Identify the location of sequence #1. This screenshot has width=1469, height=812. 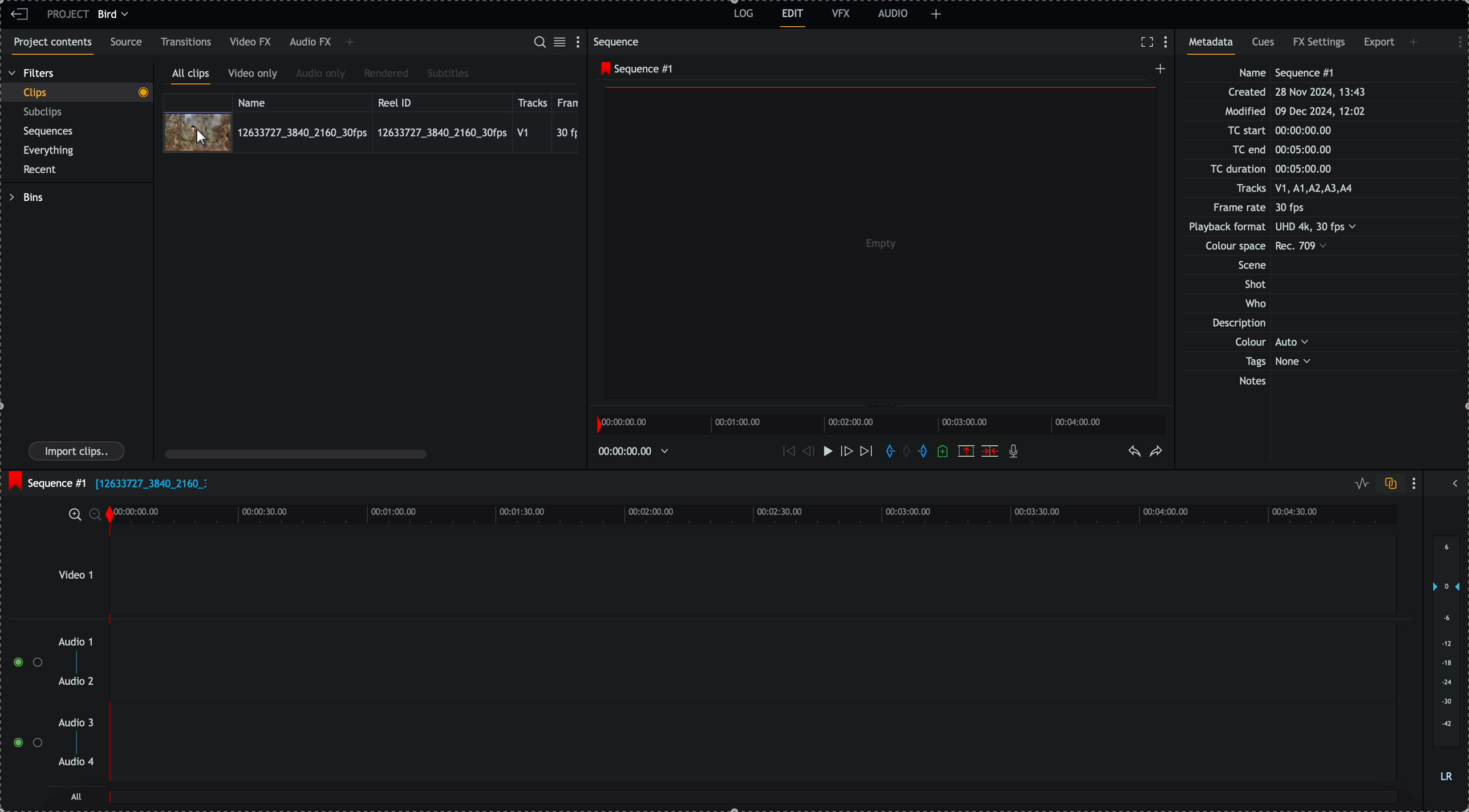
(46, 480).